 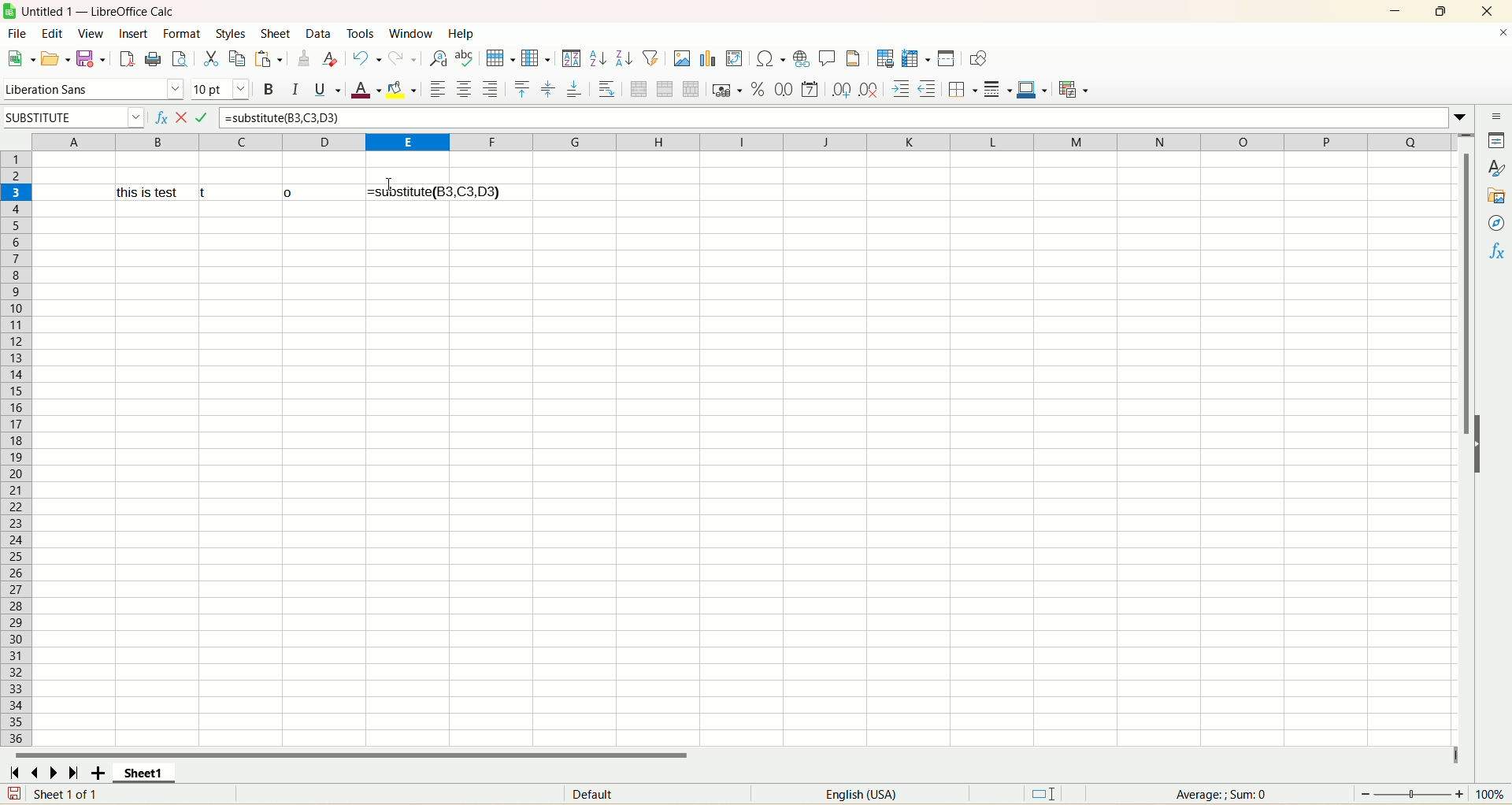 What do you see at coordinates (217, 191) in the screenshot?
I see `this is test` at bounding box center [217, 191].